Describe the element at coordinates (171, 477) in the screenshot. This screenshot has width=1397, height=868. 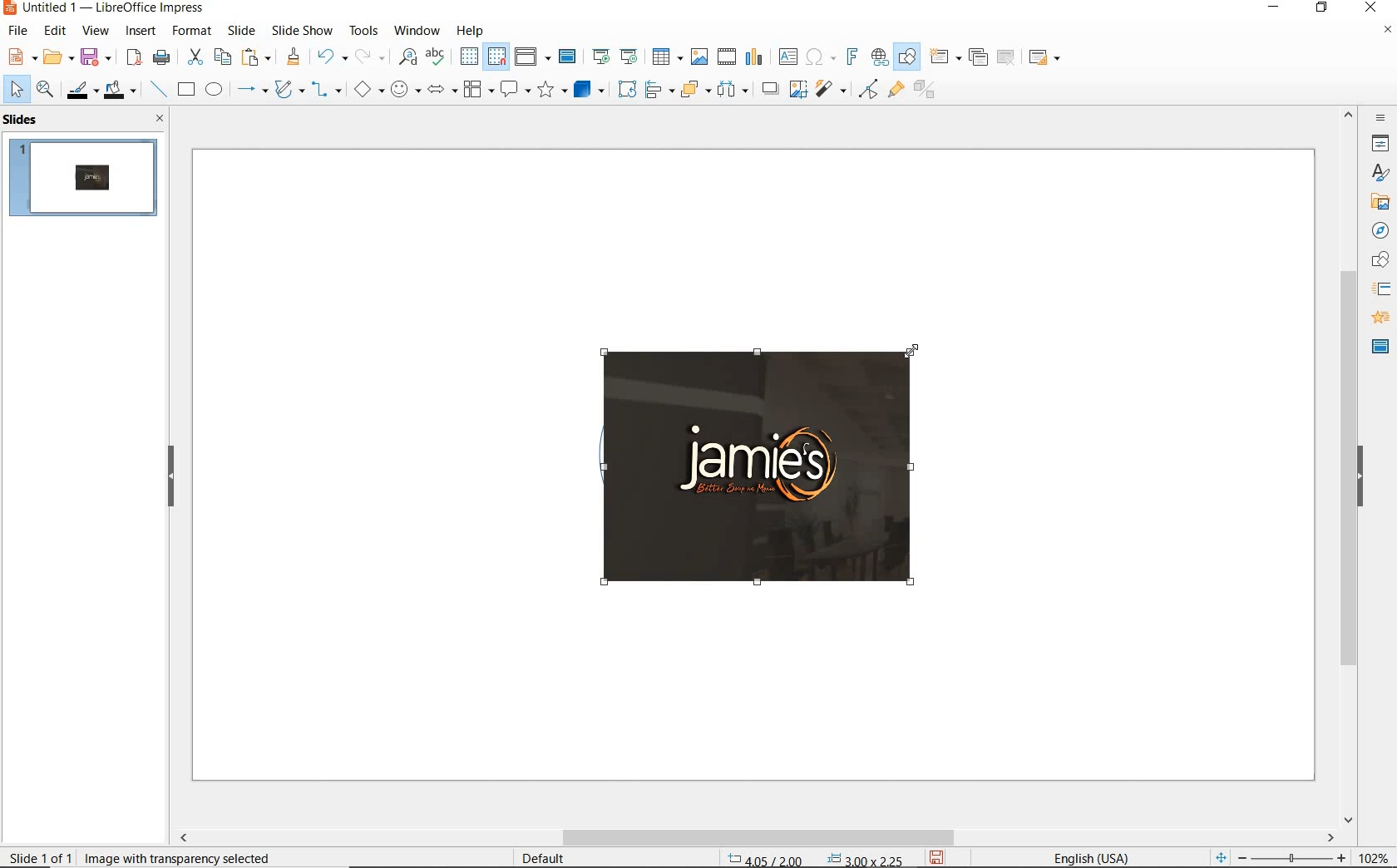
I see `hide` at that location.